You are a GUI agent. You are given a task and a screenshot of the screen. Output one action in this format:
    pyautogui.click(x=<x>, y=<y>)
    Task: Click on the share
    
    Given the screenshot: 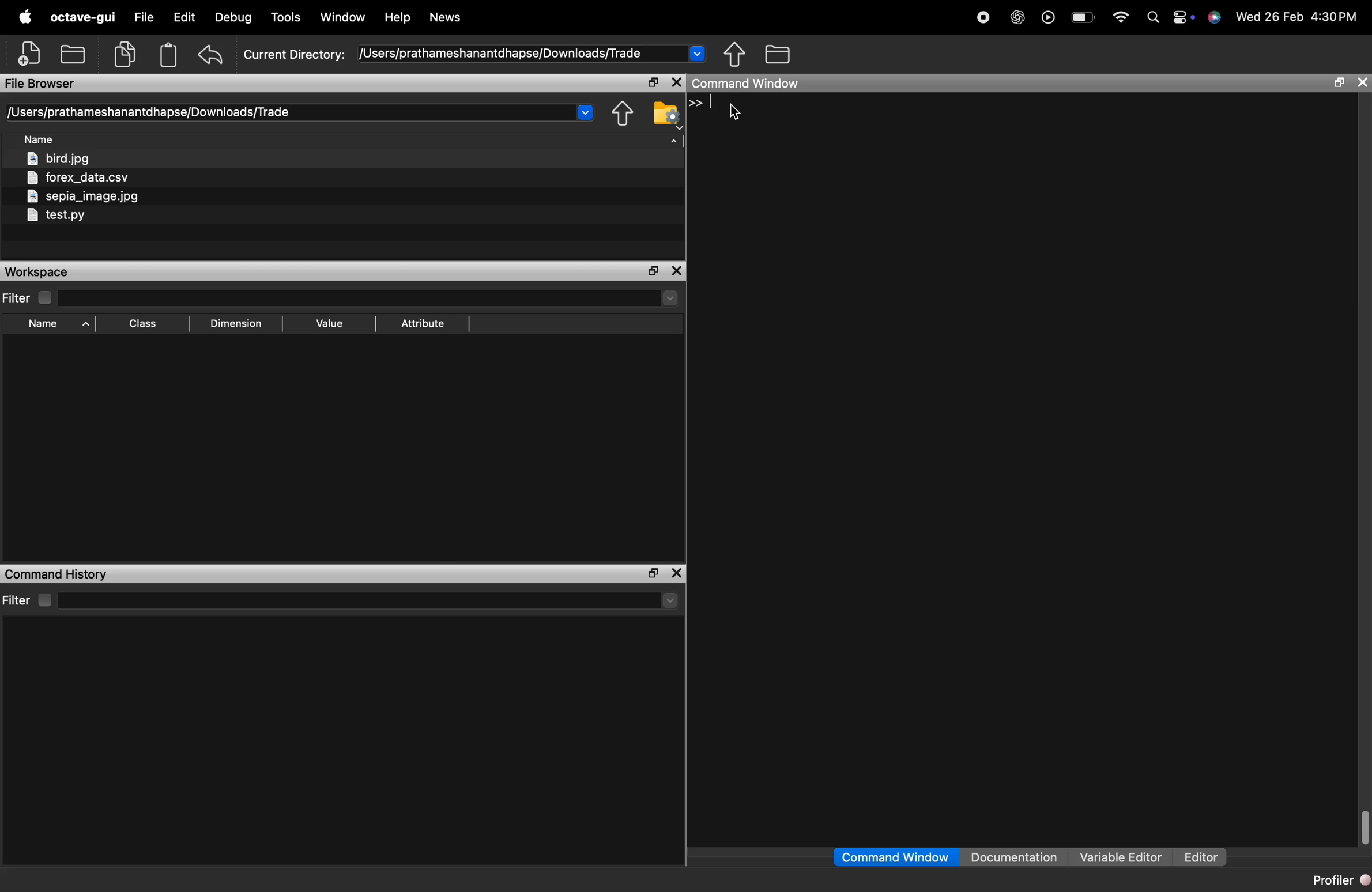 What is the action you would take?
    pyautogui.click(x=623, y=114)
    